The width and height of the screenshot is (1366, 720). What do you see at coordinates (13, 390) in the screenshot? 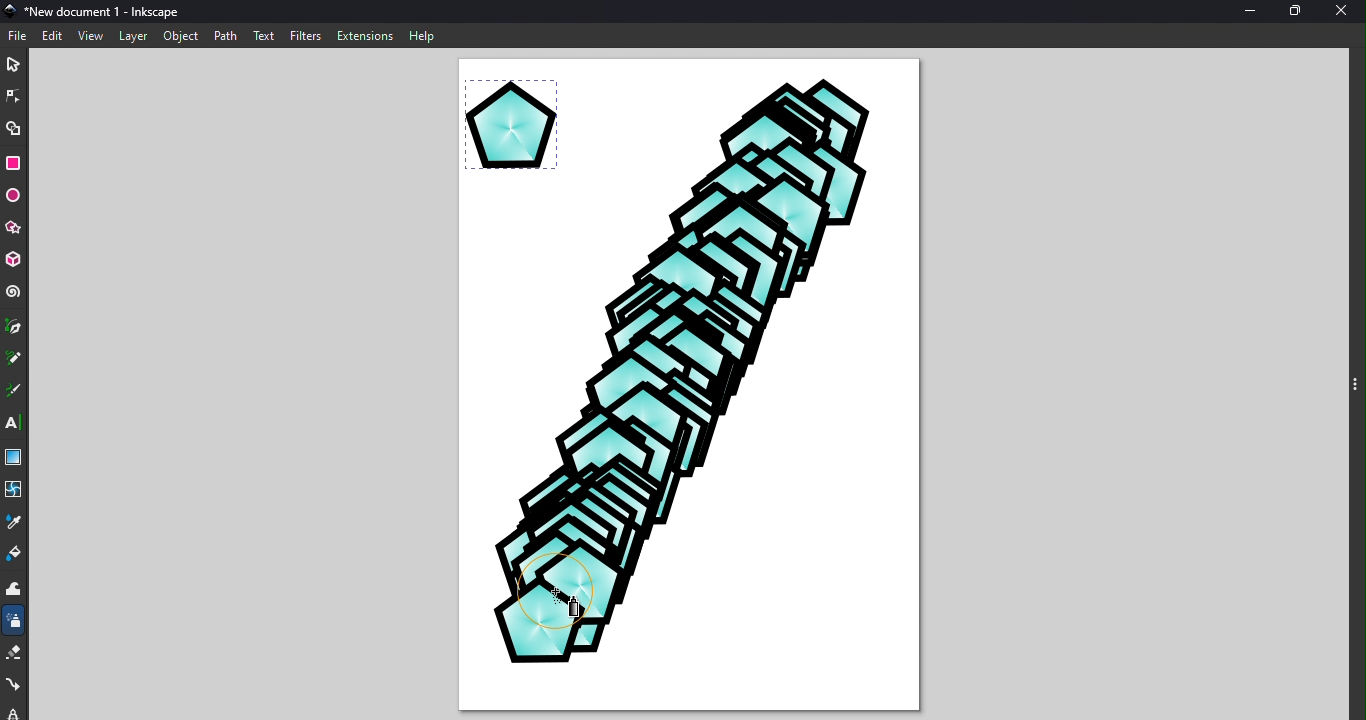
I see `Calligraphy tool` at bounding box center [13, 390].